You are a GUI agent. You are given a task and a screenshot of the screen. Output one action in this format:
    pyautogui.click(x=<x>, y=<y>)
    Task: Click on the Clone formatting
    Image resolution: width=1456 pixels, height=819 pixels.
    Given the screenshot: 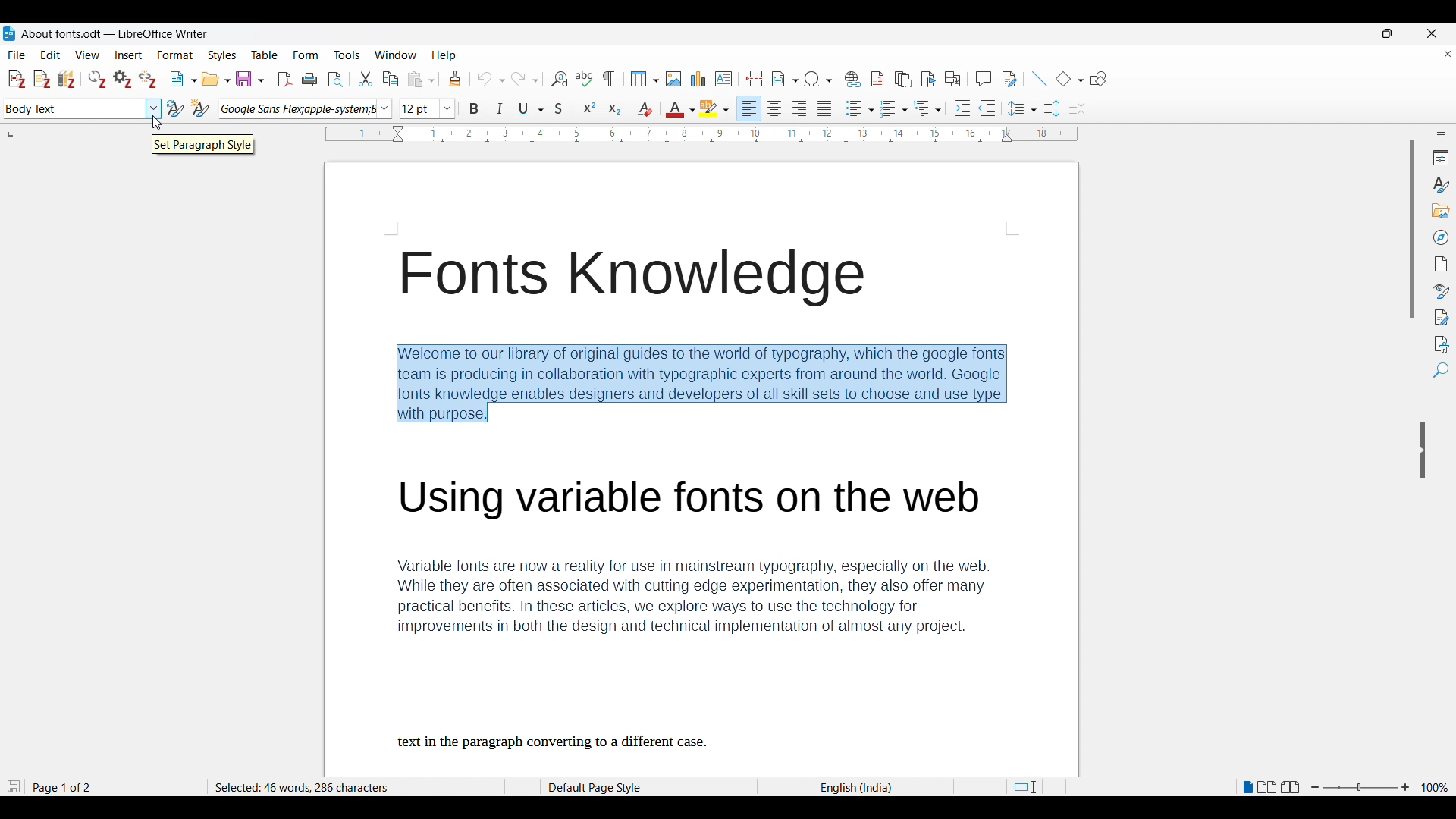 What is the action you would take?
    pyautogui.click(x=455, y=79)
    